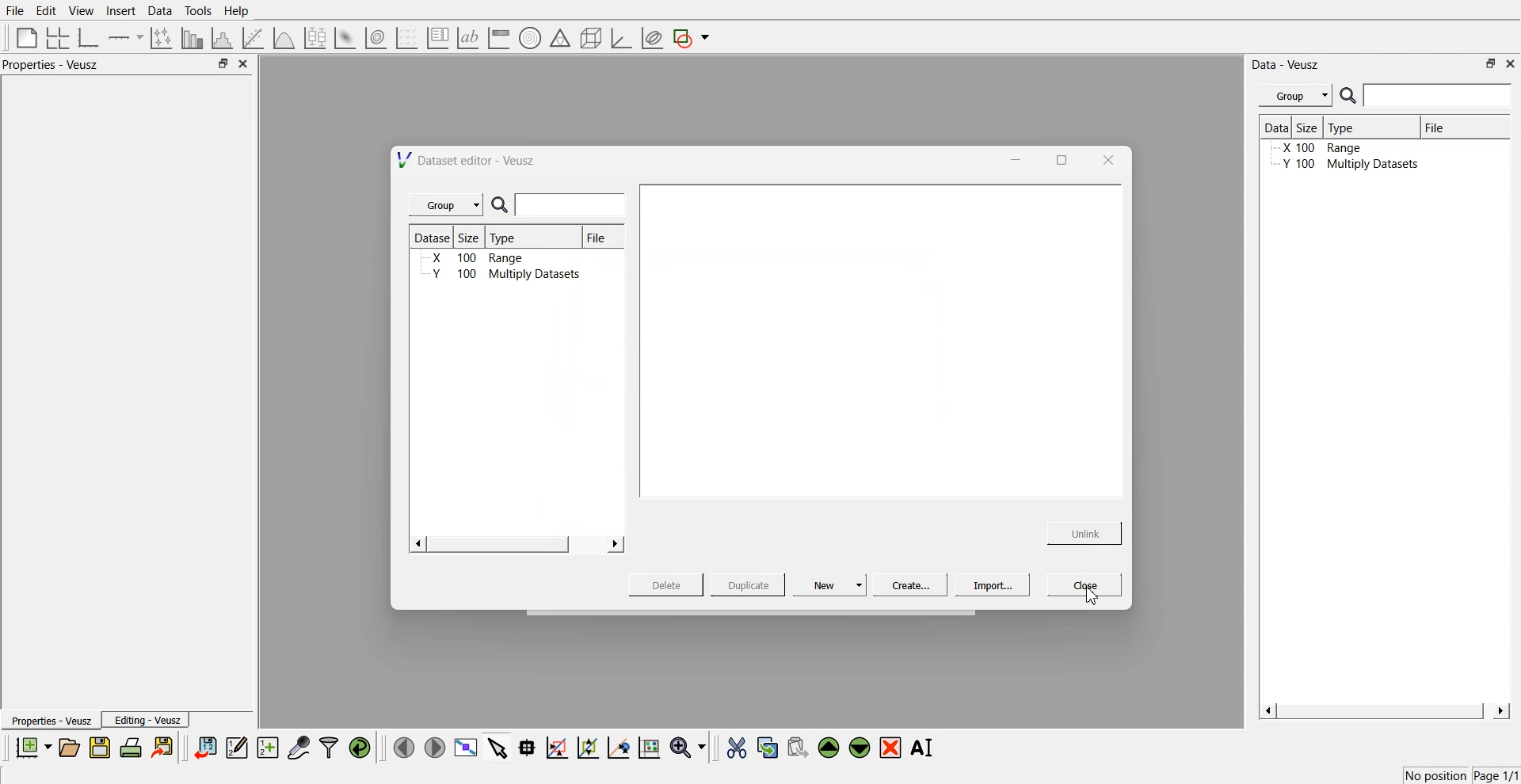  I want to click on Dataset, so click(1275, 128).